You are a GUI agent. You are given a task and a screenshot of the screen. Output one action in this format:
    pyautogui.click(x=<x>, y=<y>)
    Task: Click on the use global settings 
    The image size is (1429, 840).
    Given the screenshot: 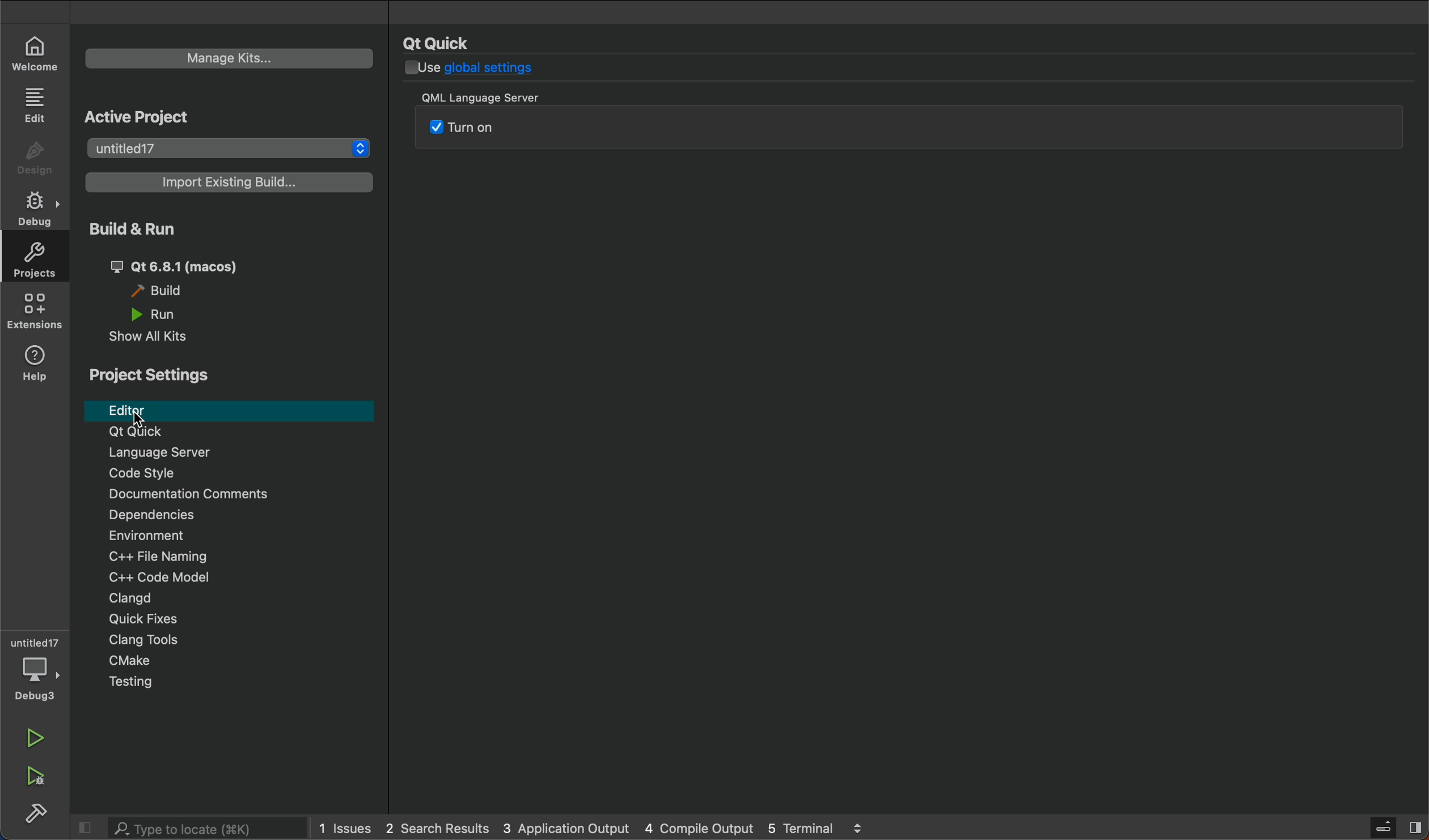 What is the action you would take?
    pyautogui.click(x=477, y=67)
    